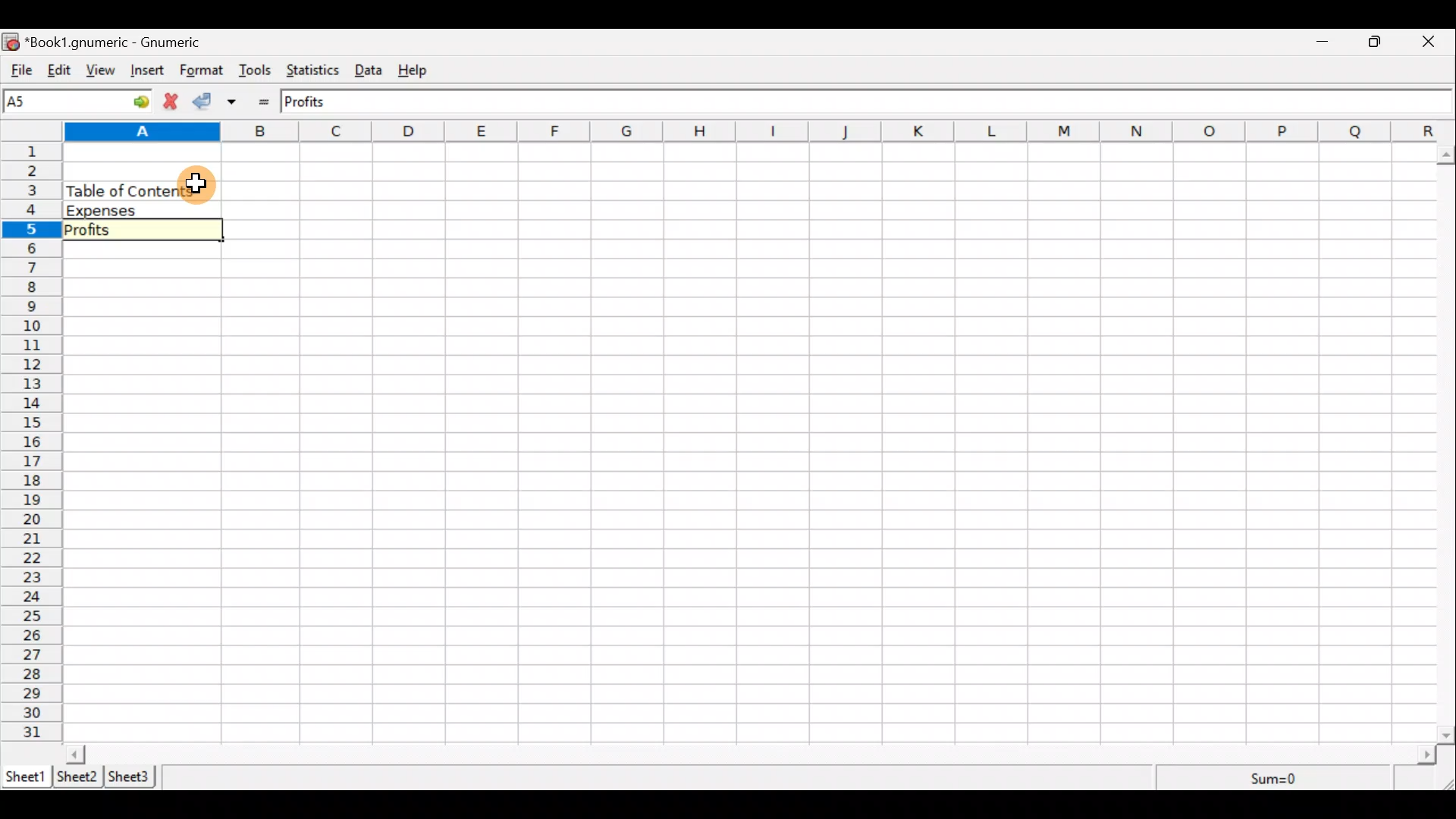  What do you see at coordinates (315, 72) in the screenshot?
I see `Statistics` at bounding box center [315, 72].